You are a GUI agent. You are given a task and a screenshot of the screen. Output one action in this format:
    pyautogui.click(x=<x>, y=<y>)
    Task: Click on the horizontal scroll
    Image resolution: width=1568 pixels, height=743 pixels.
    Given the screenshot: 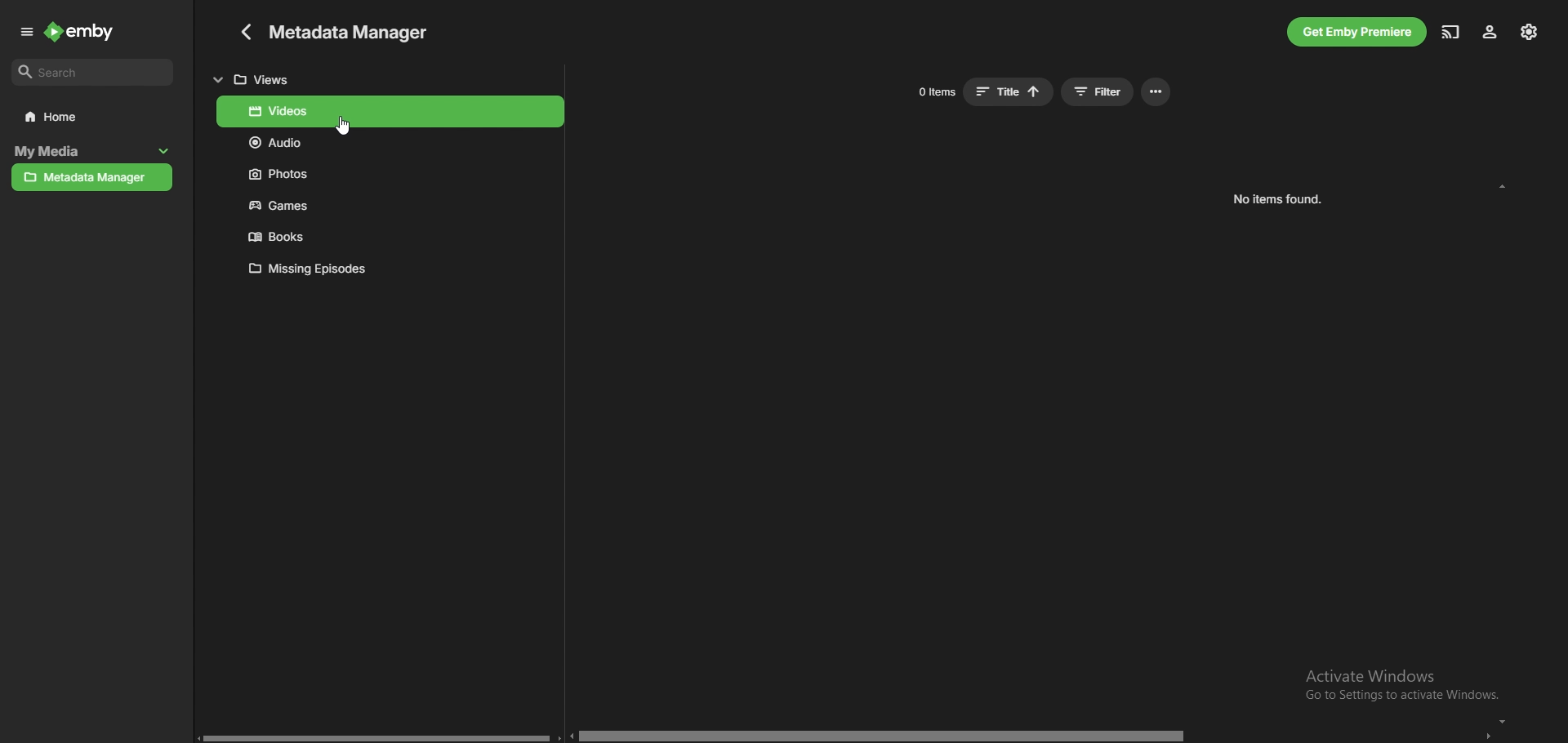 What is the action you would take?
    pyautogui.click(x=377, y=737)
    